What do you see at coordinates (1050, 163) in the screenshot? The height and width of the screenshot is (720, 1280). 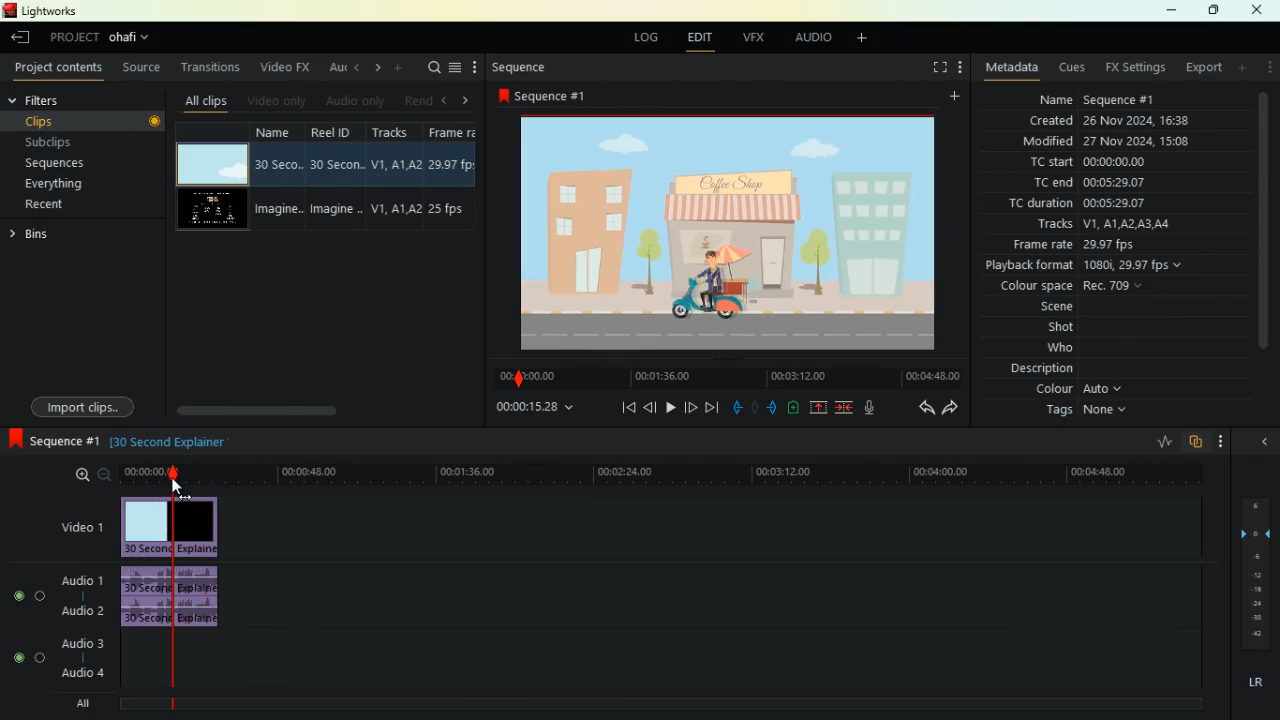 I see `tc start` at bounding box center [1050, 163].